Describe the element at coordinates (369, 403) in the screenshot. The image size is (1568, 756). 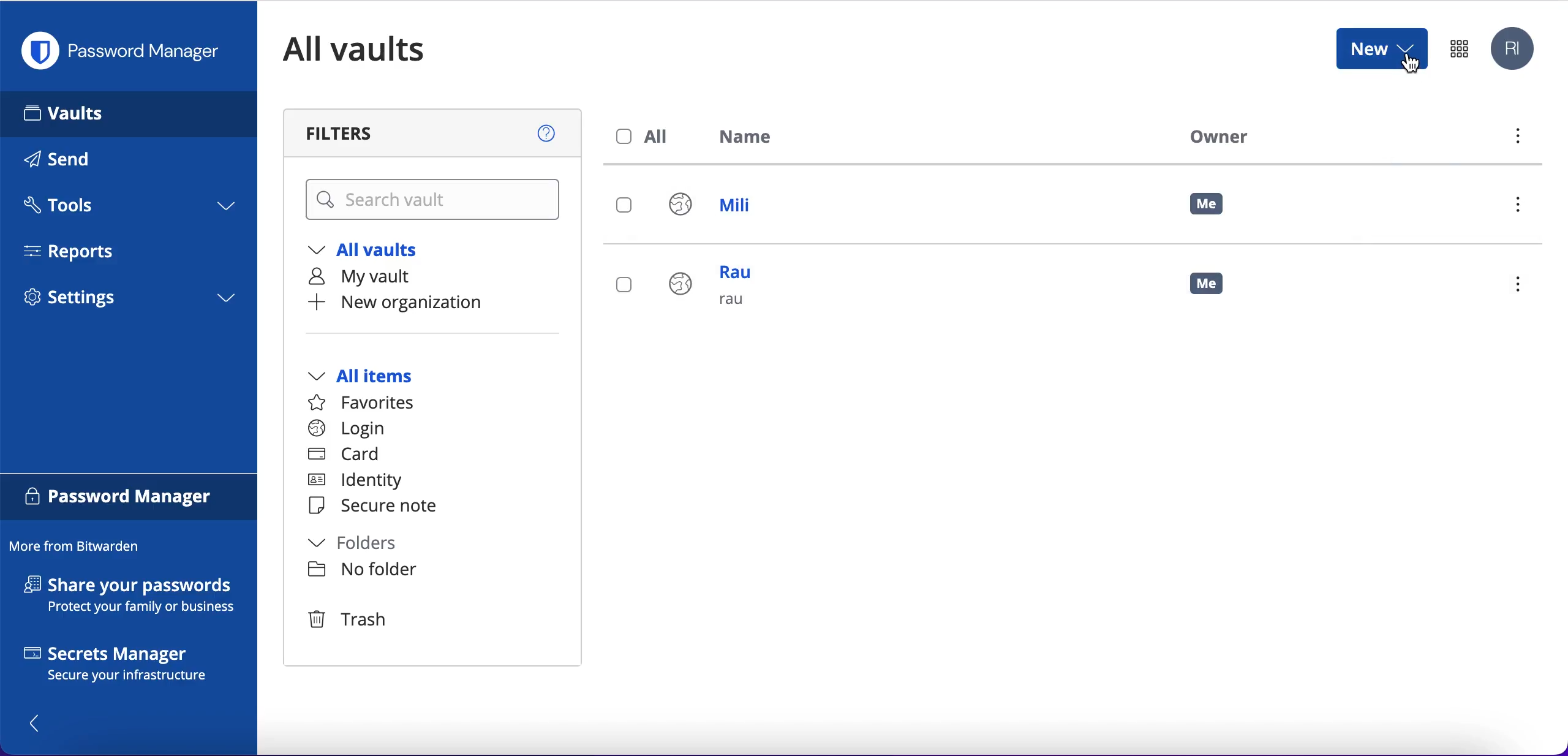
I see `favorites` at that location.